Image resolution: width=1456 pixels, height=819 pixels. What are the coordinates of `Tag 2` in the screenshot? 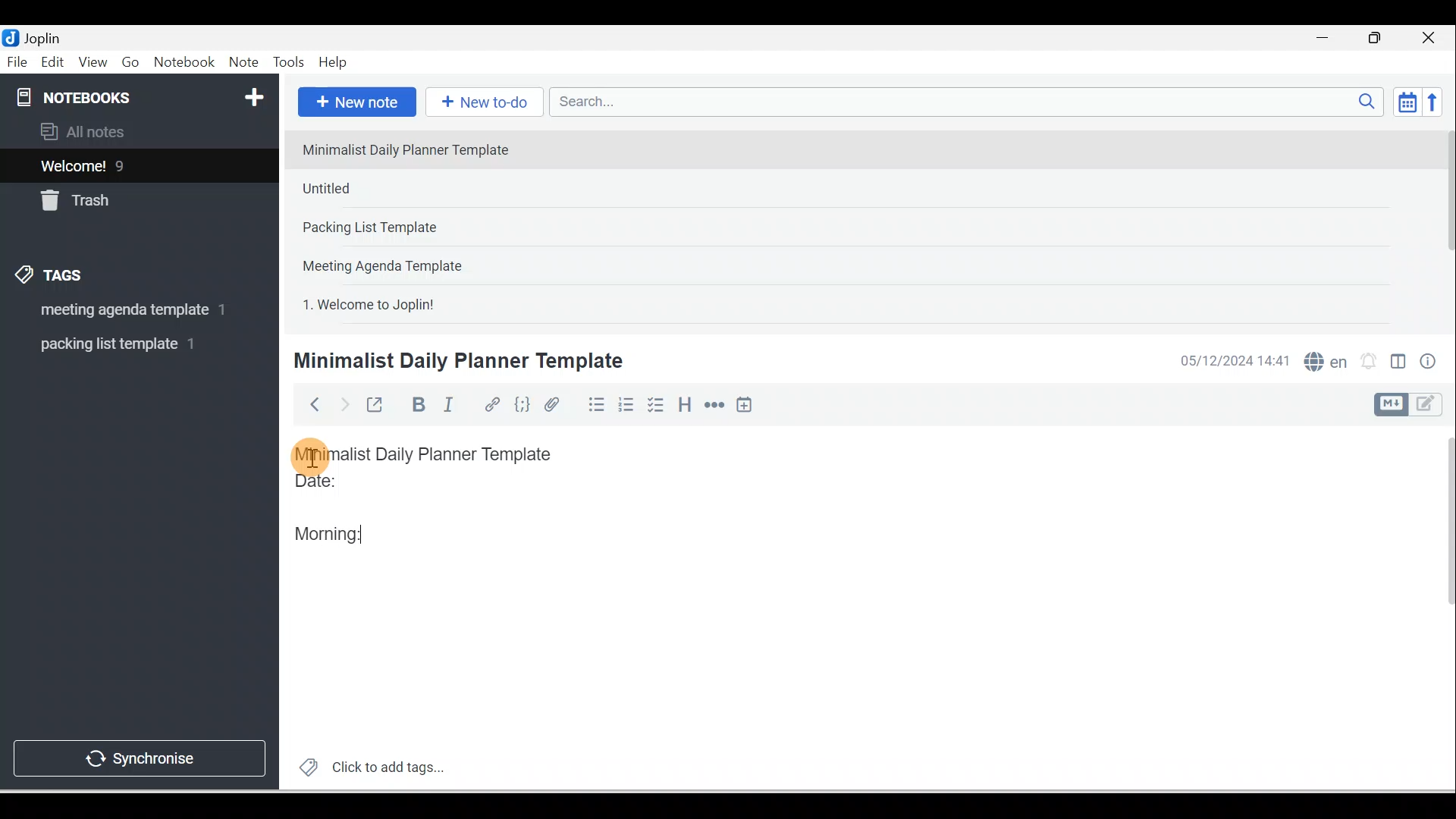 It's located at (128, 344).